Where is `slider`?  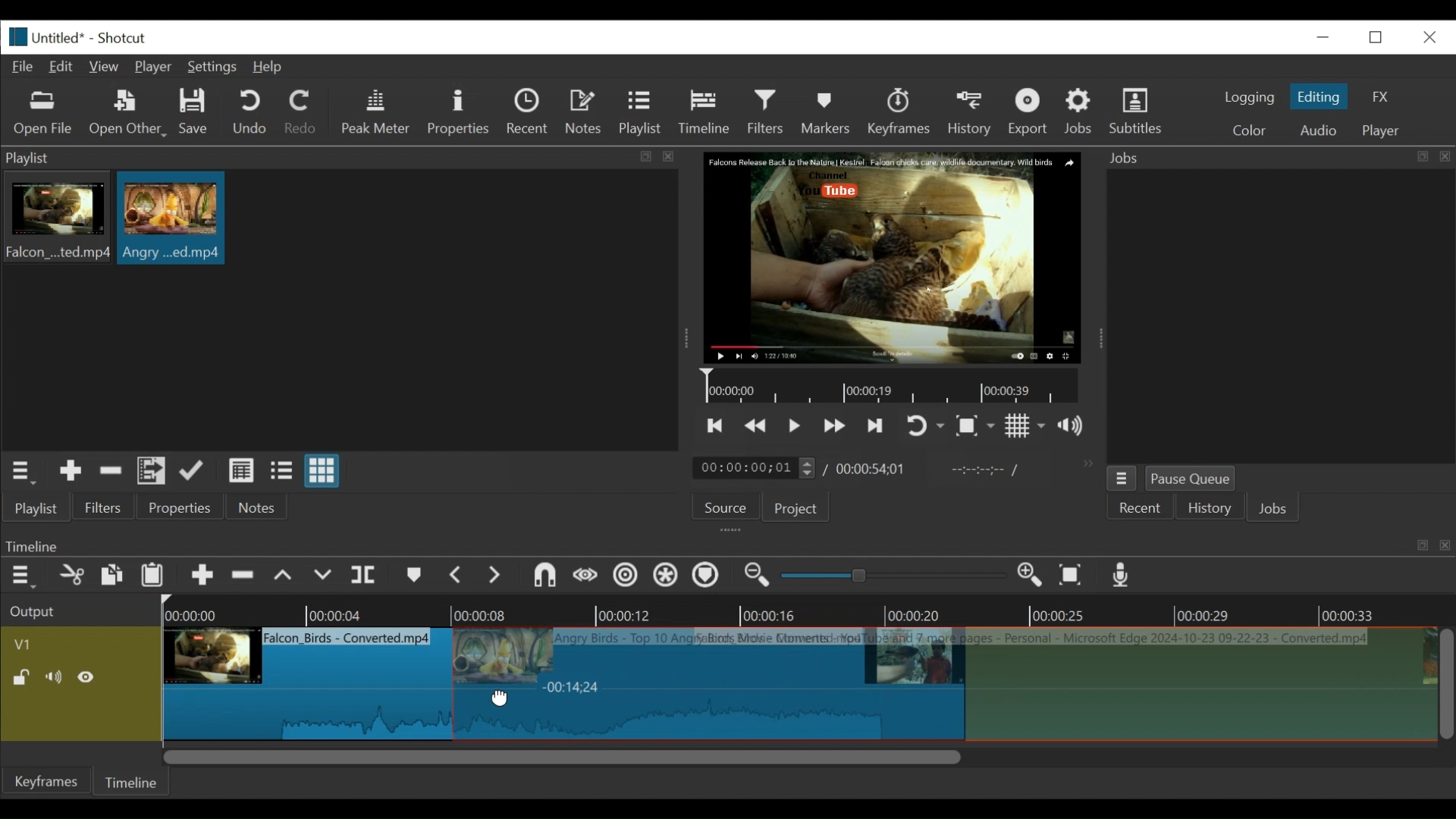
slider is located at coordinates (889, 576).